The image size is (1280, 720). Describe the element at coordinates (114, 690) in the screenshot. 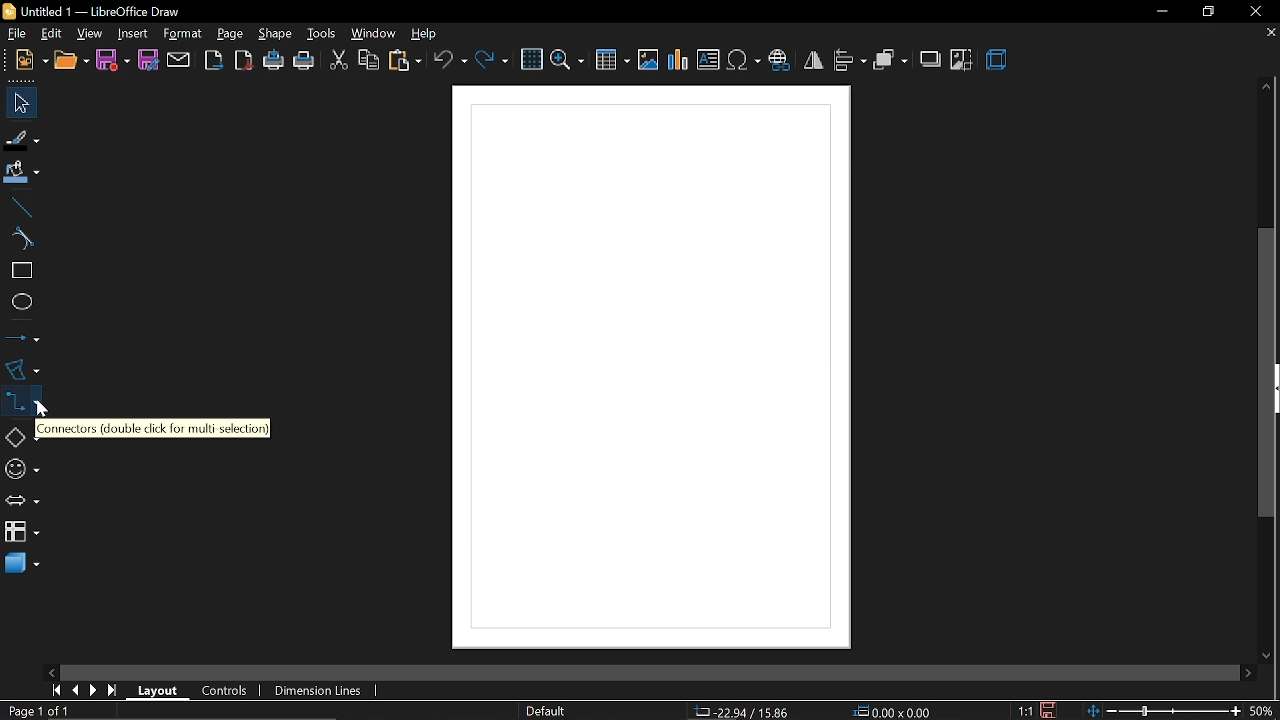

I see `go to last page` at that location.